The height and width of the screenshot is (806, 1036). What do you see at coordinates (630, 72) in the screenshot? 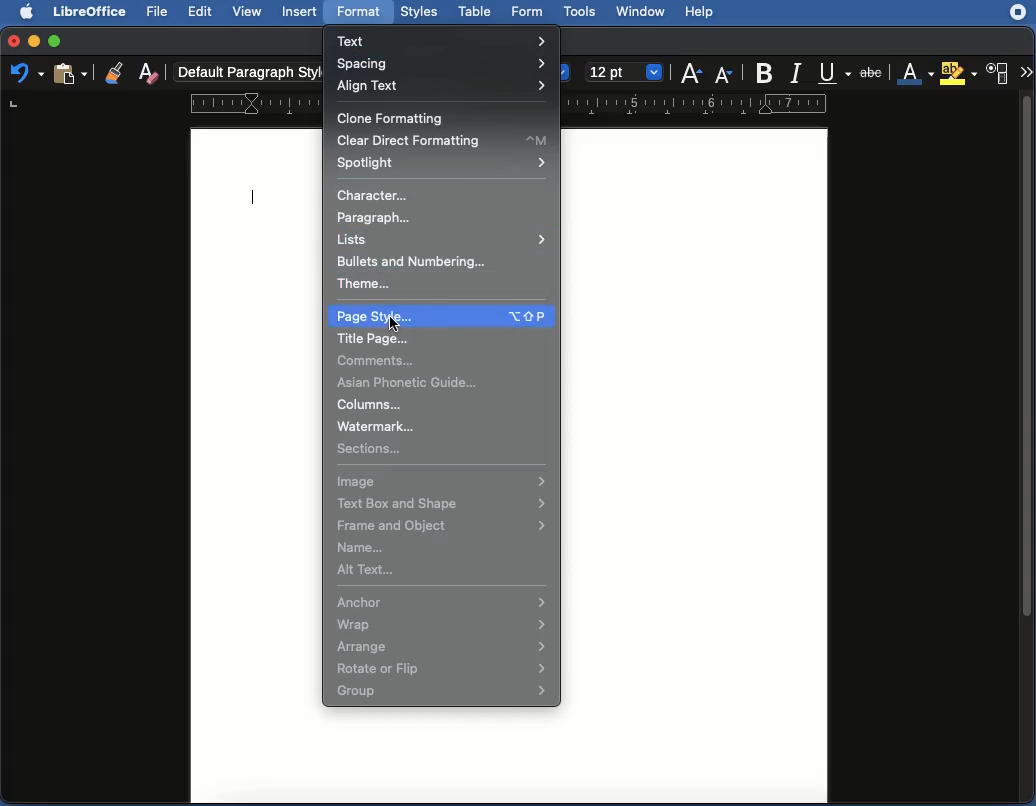
I see `size` at bounding box center [630, 72].